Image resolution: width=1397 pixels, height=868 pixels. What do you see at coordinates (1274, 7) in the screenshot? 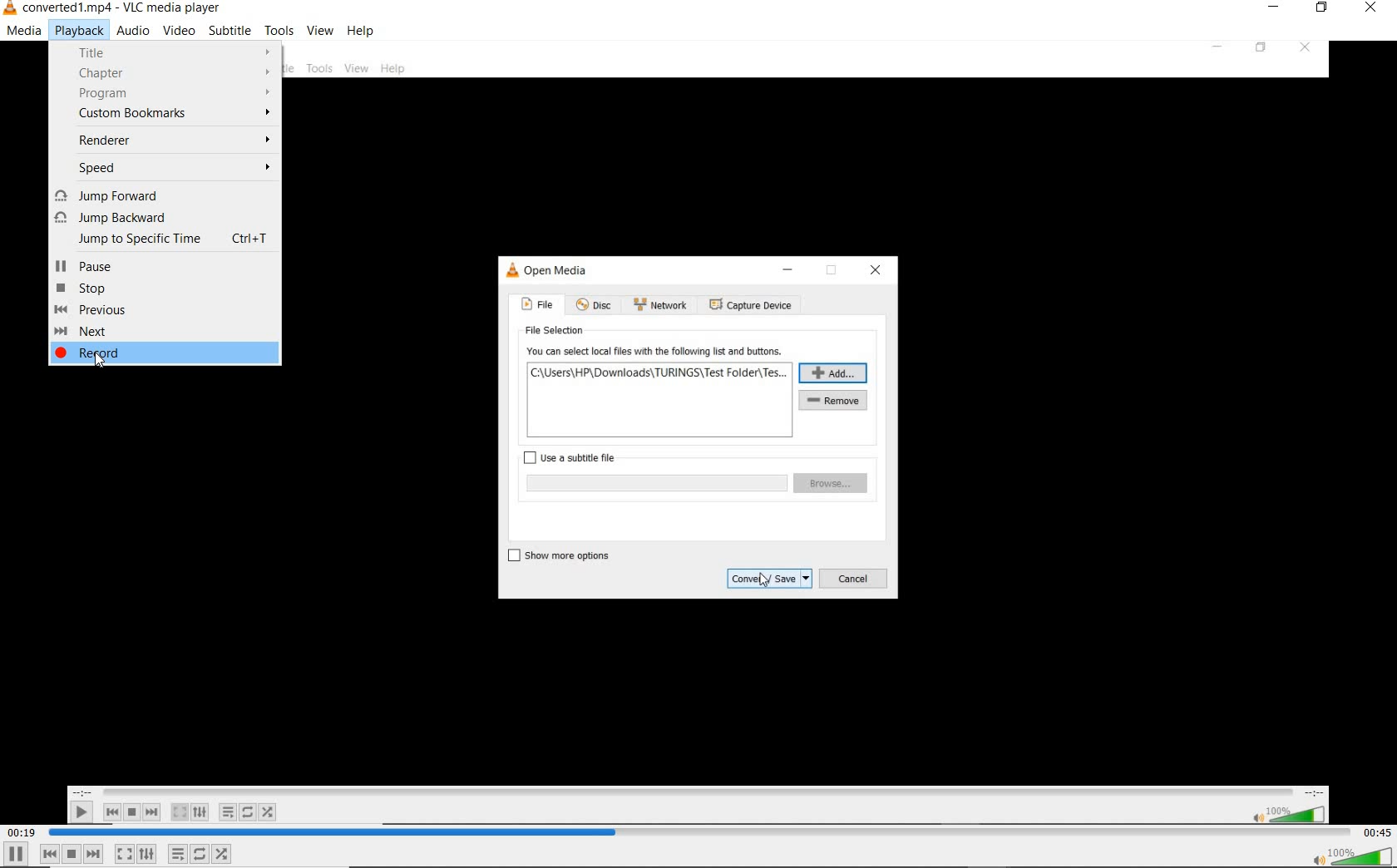
I see `minimize` at bounding box center [1274, 7].